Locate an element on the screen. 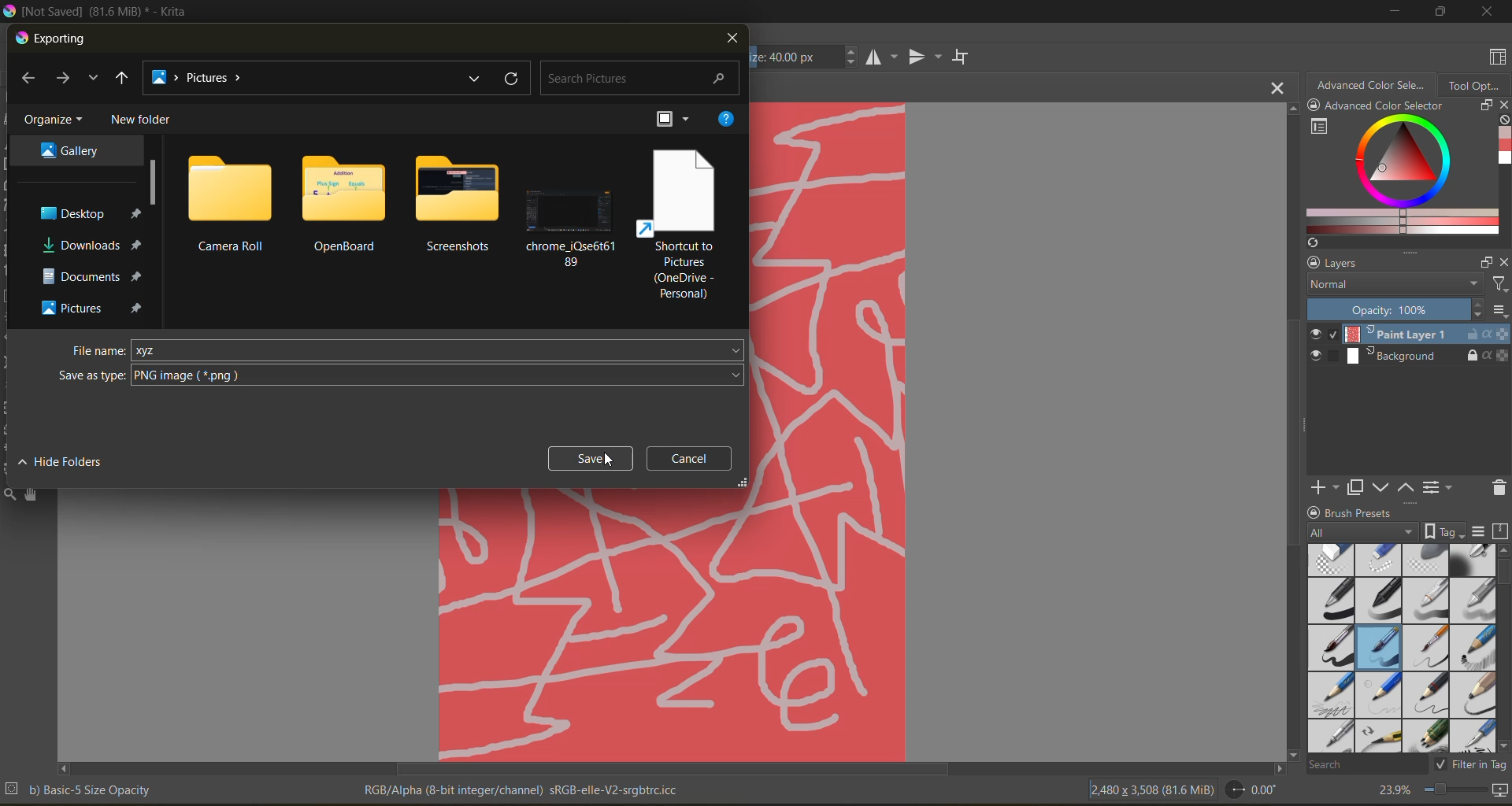 The height and width of the screenshot is (806, 1512). Brush presets is located at coordinates (1366, 511).